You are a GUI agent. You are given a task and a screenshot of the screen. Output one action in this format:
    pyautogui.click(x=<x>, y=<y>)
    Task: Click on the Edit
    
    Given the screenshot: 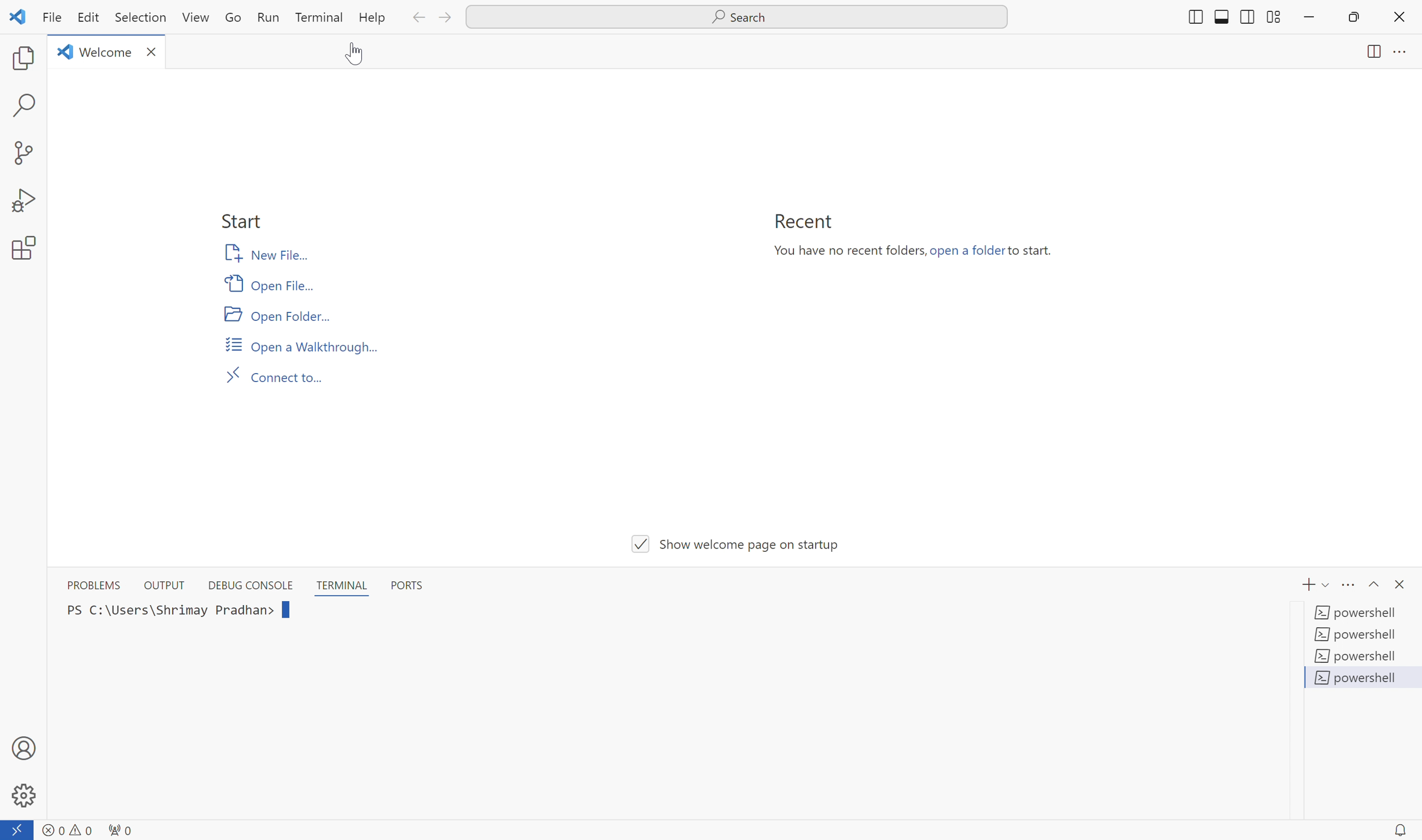 What is the action you would take?
    pyautogui.click(x=87, y=18)
    